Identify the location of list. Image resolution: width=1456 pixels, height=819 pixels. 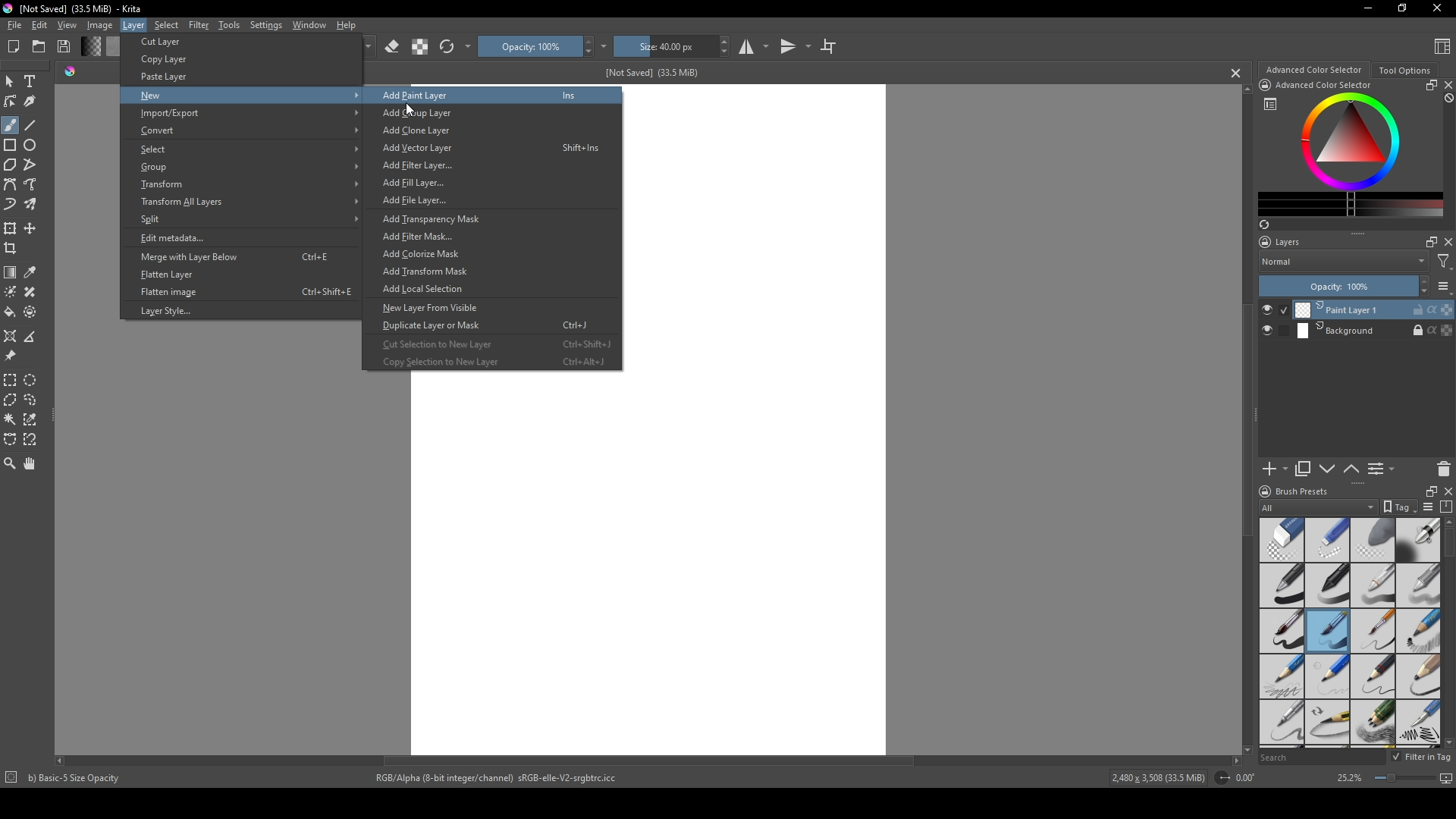
(1427, 507).